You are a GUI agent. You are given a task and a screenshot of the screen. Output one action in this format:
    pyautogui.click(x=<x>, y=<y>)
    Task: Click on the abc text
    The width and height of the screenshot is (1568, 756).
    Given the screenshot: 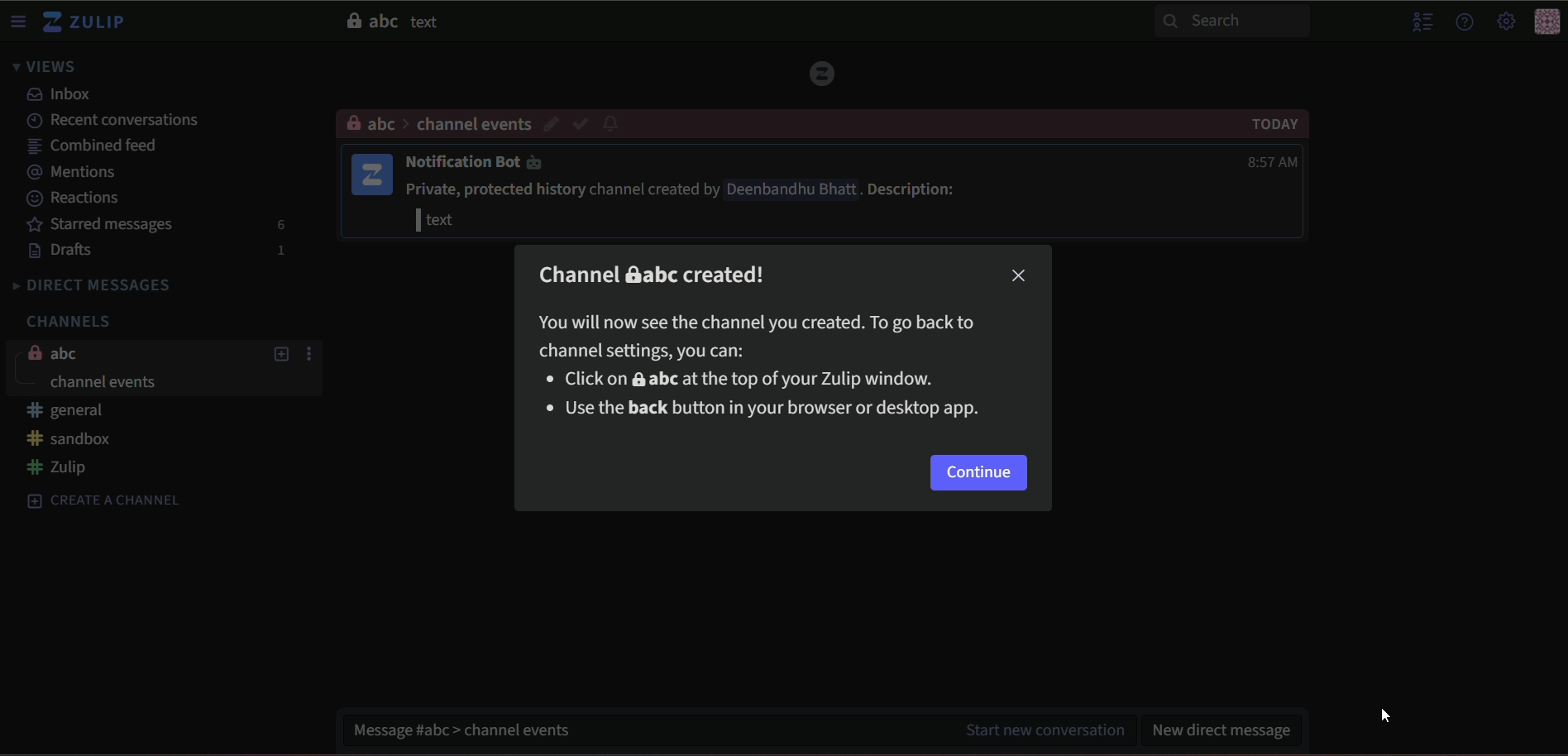 What is the action you would take?
    pyautogui.click(x=586, y=22)
    